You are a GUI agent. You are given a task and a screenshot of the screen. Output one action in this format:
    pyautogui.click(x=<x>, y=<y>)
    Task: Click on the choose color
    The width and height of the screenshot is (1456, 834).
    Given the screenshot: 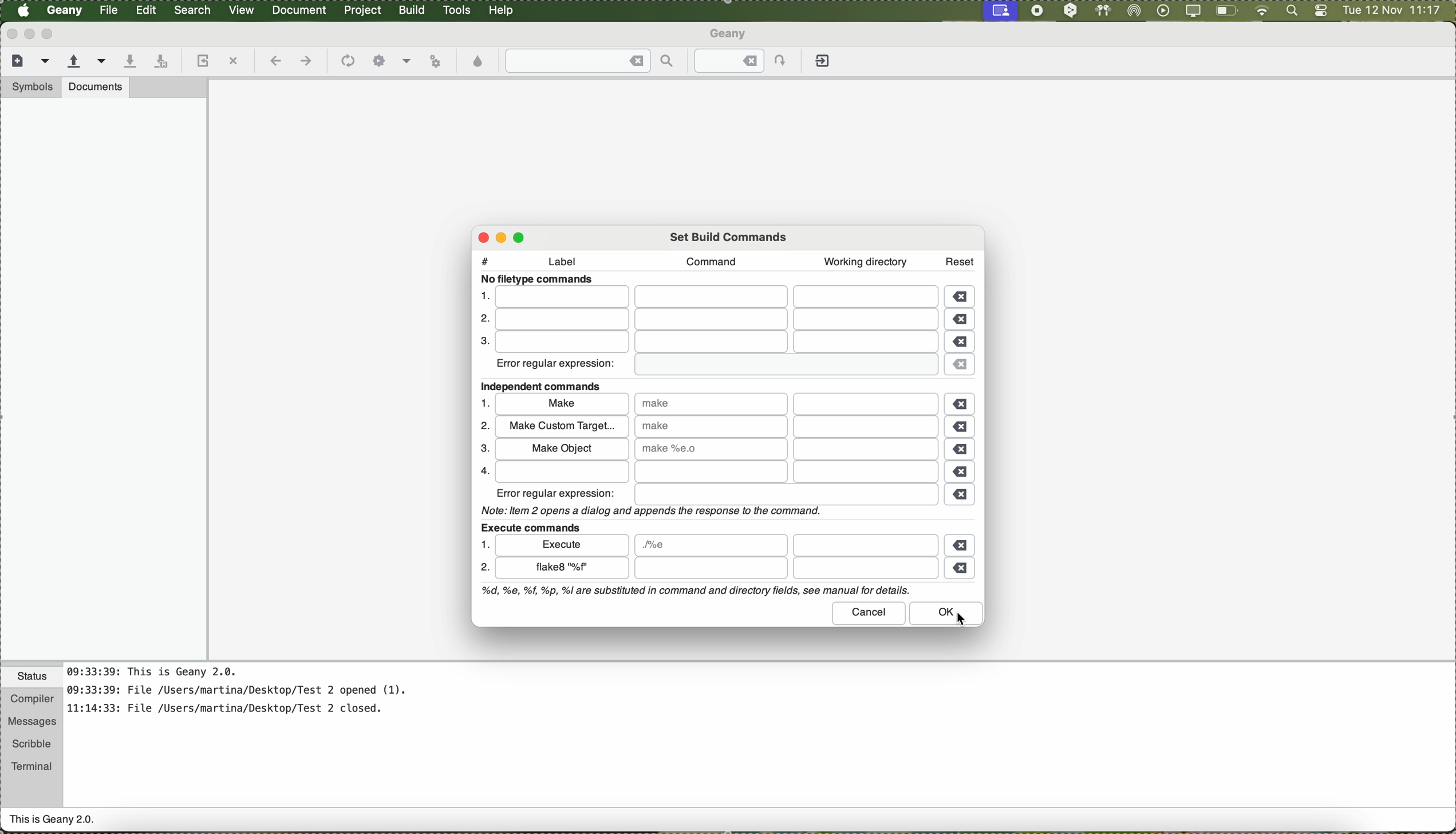 What is the action you would take?
    pyautogui.click(x=479, y=62)
    